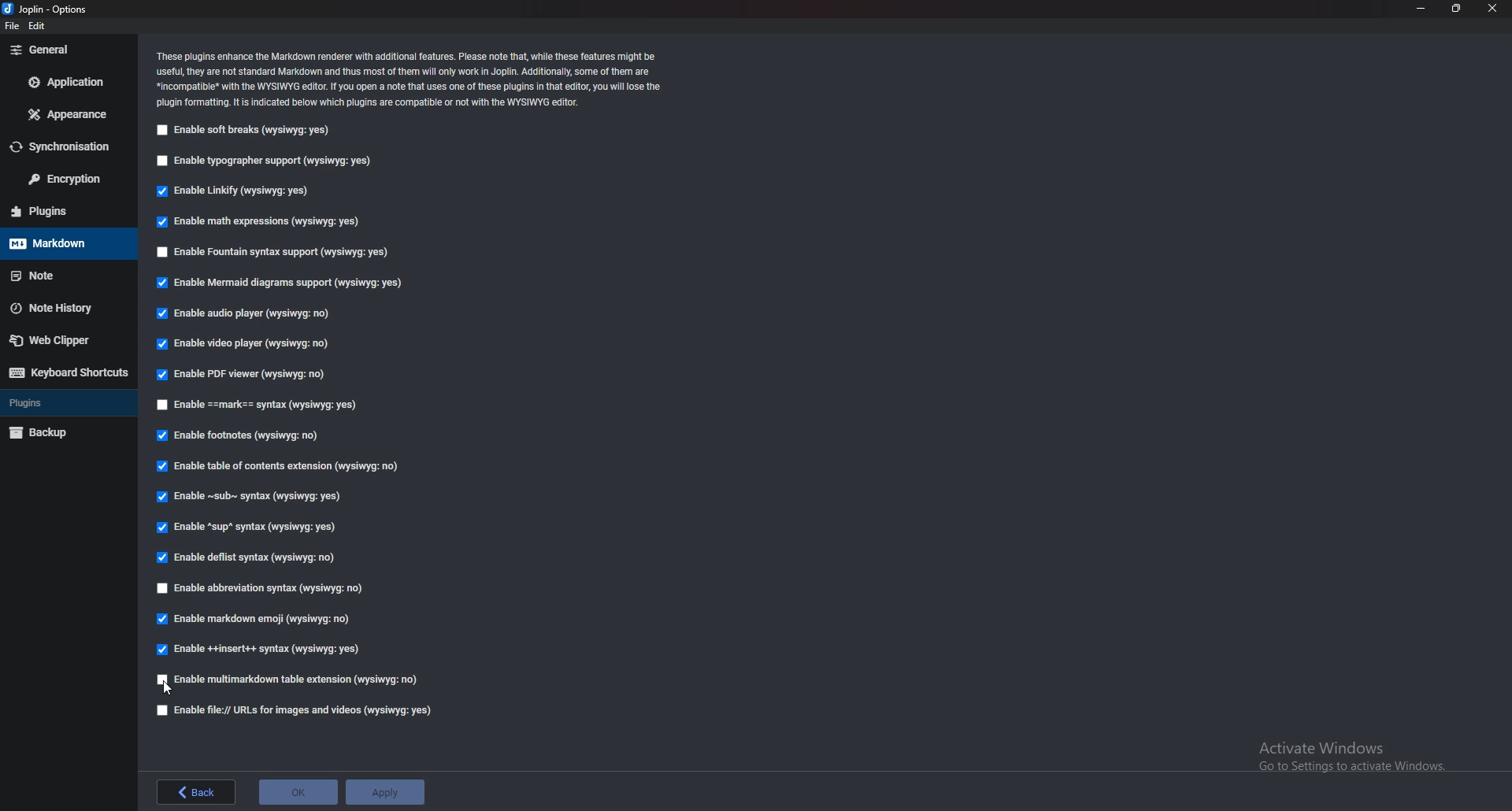 The image size is (1512, 811). I want to click on edit, so click(38, 27).